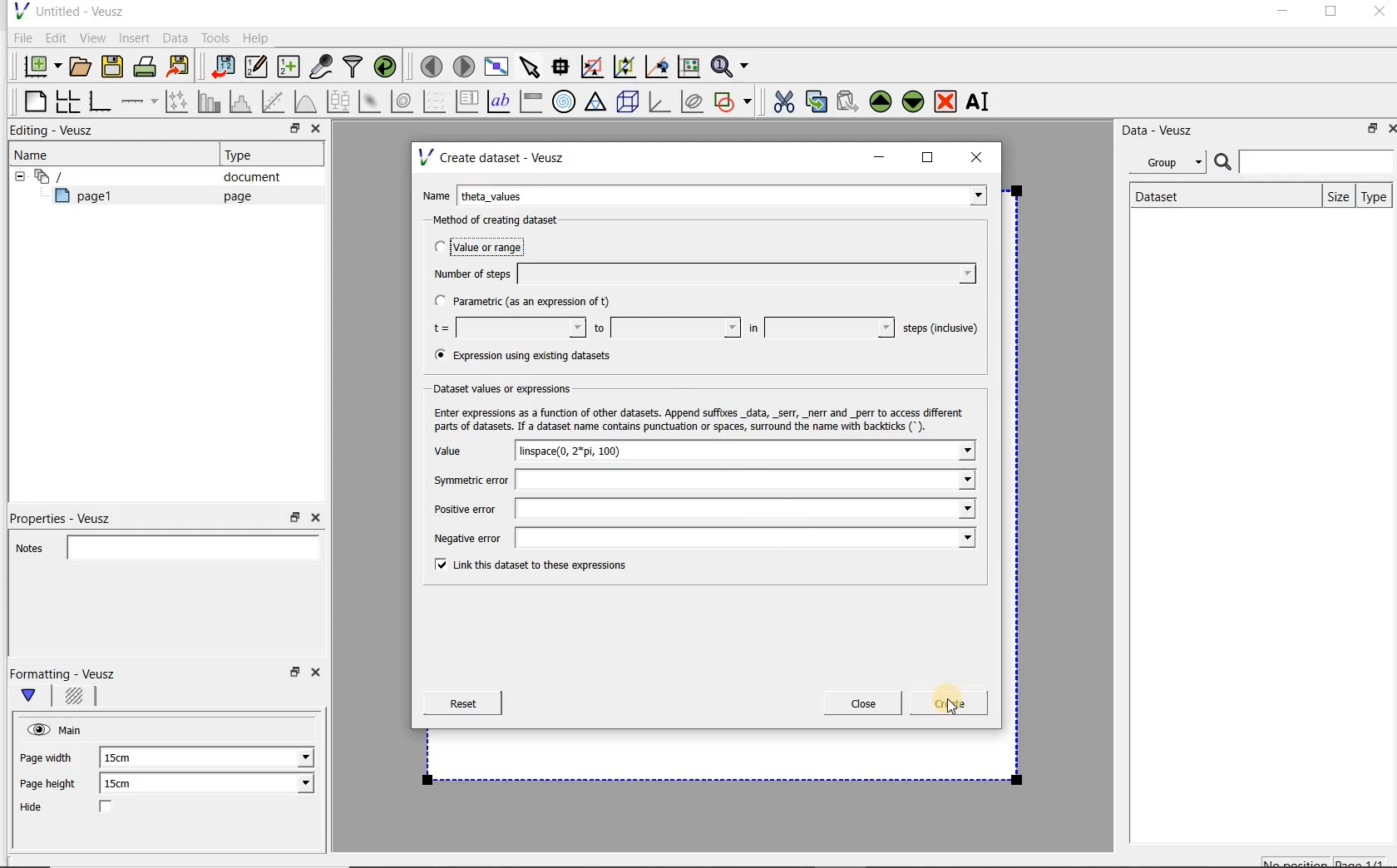  Describe the element at coordinates (597, 102) in the screenshot. I see `ternary graph` at that location.